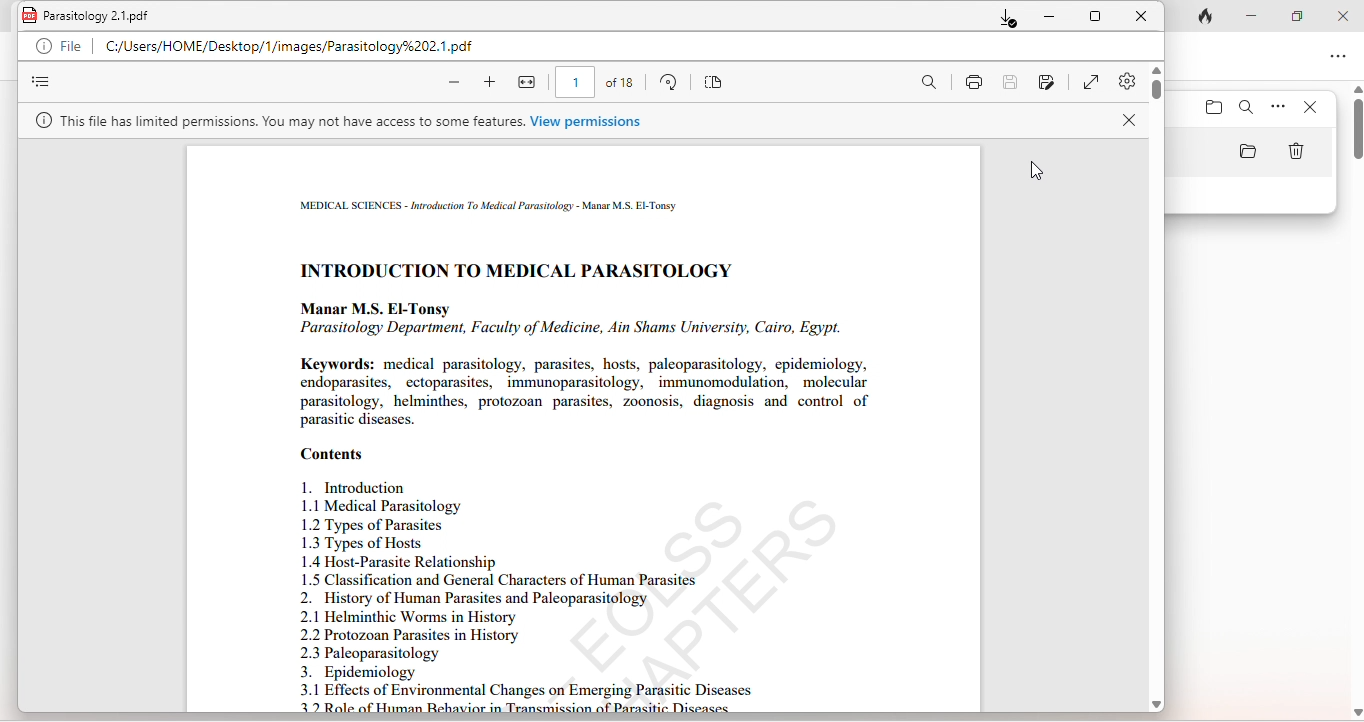 The width and height of the screenshot is (1364, 722). I want to click on organize page, so click(717, 84).